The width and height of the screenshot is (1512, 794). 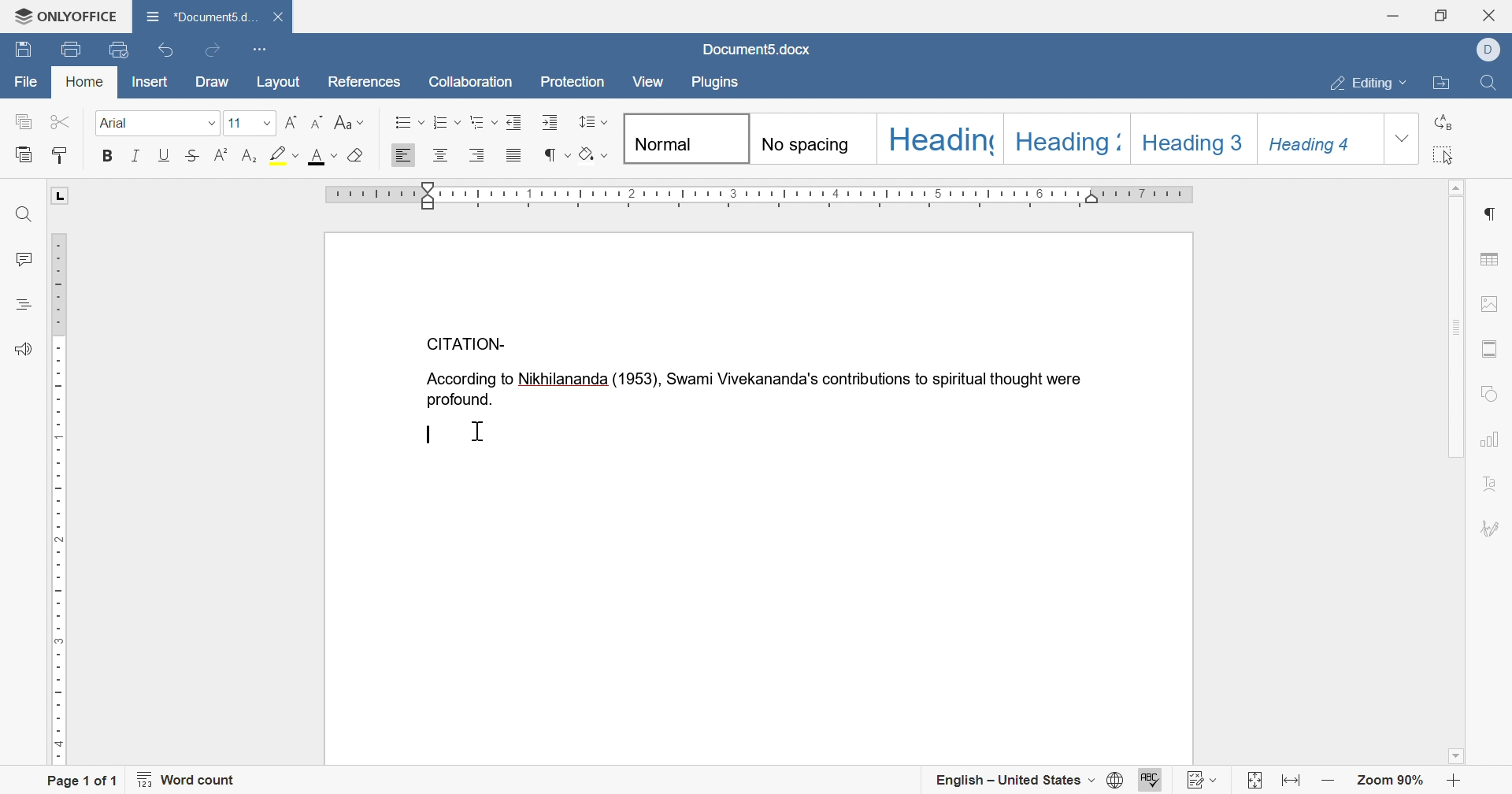 I want to click on page 1 of 1, so click(x=85, y=781).